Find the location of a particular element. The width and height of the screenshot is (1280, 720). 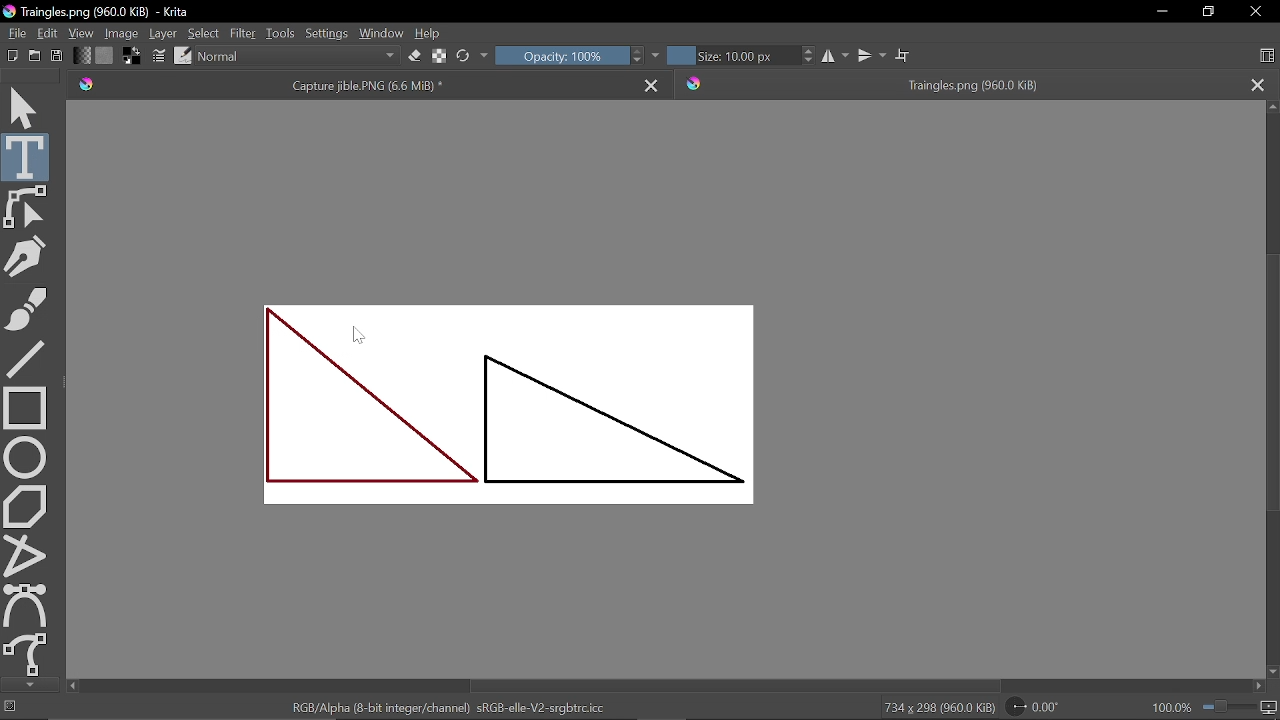

Minimize is located at coordinates (1160, 12).